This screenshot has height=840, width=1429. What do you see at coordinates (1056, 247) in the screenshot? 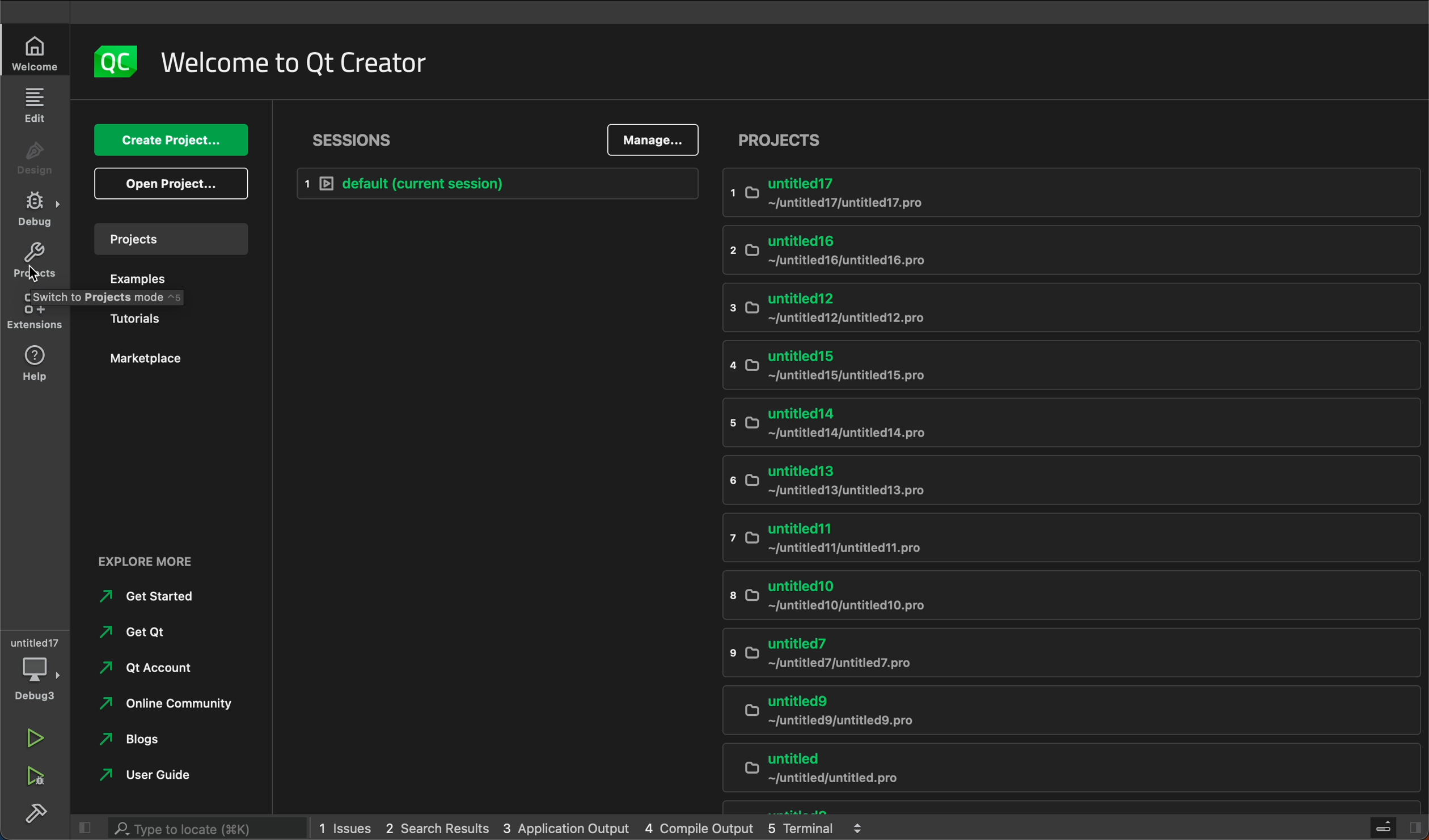
I see `untitled 16` at bounding box center [1056, 247].